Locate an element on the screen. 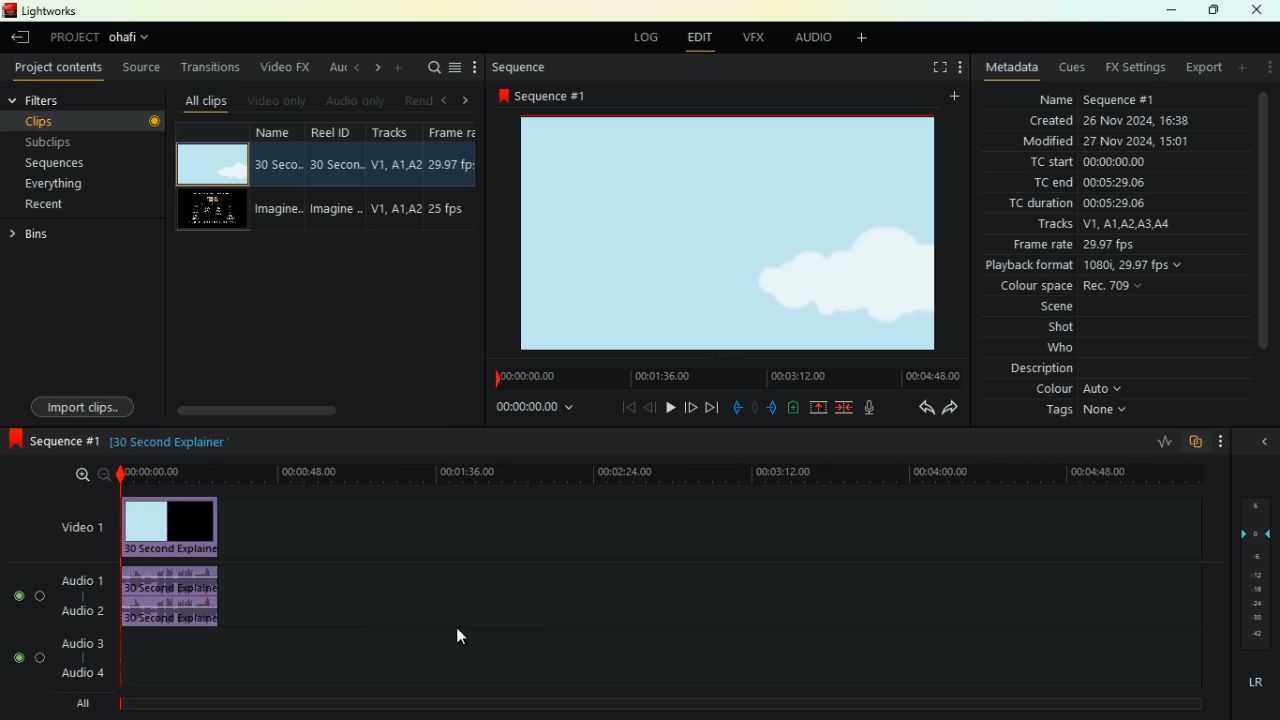 The width and height of the screenshot is (1280, 720). tc duration 00:05:29:06 is located at coordinates (1116, 202).